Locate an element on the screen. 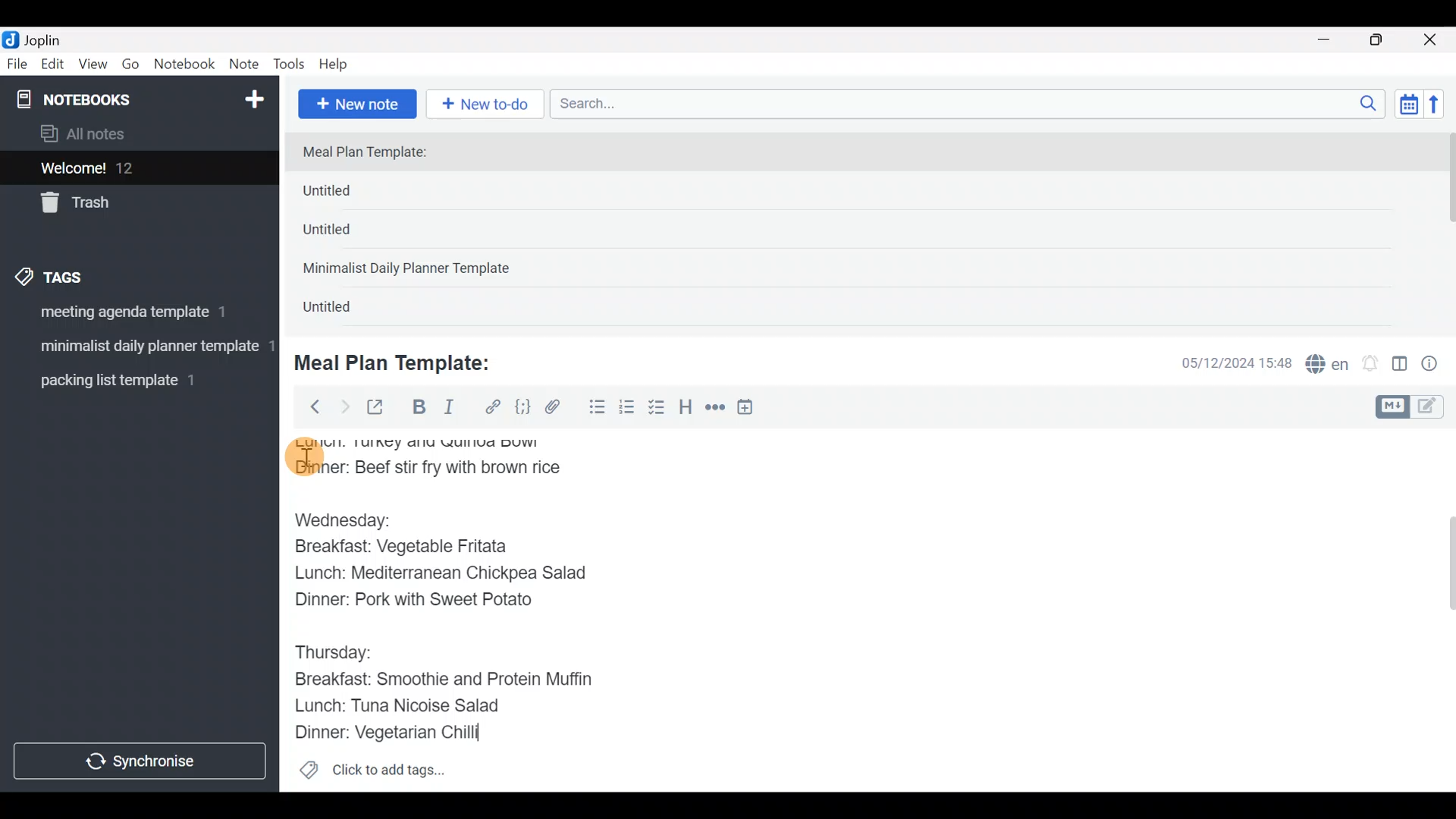  Tag 2 is located at coordinates (139, 348).